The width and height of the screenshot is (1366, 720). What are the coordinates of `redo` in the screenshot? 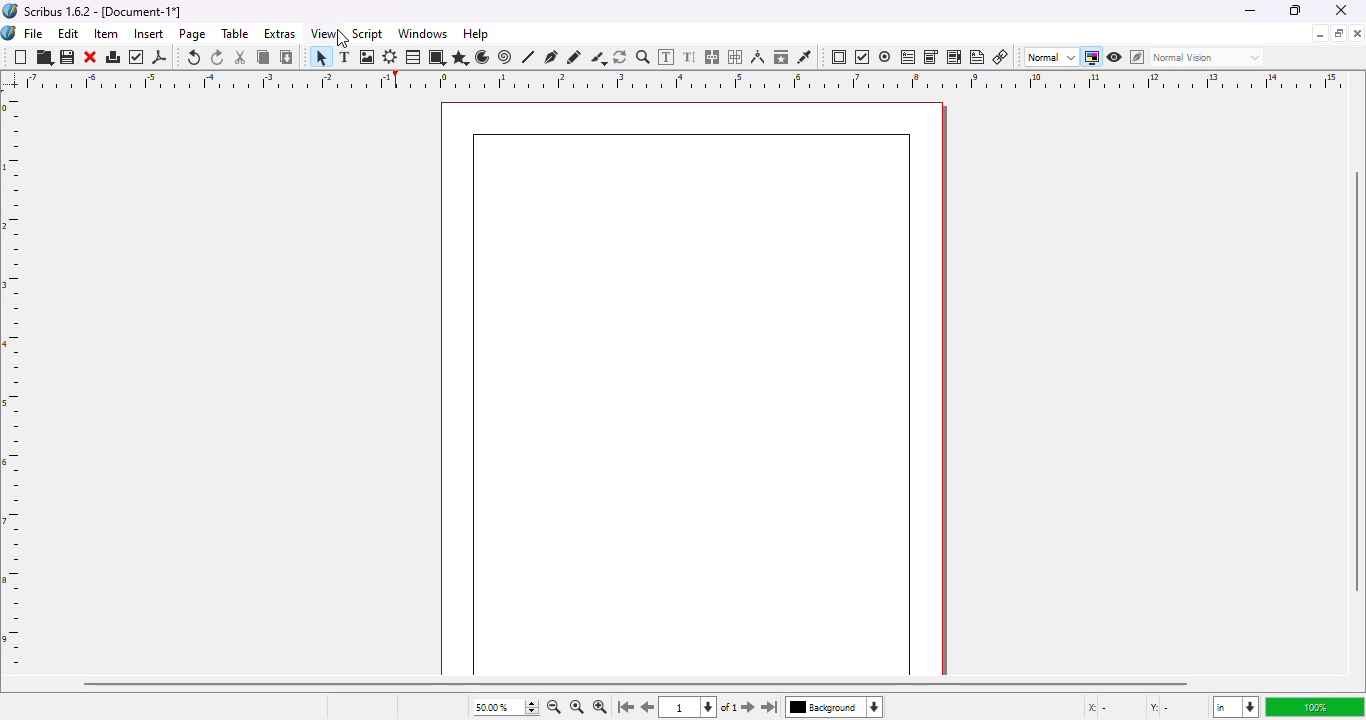 It's located at (218, 58).